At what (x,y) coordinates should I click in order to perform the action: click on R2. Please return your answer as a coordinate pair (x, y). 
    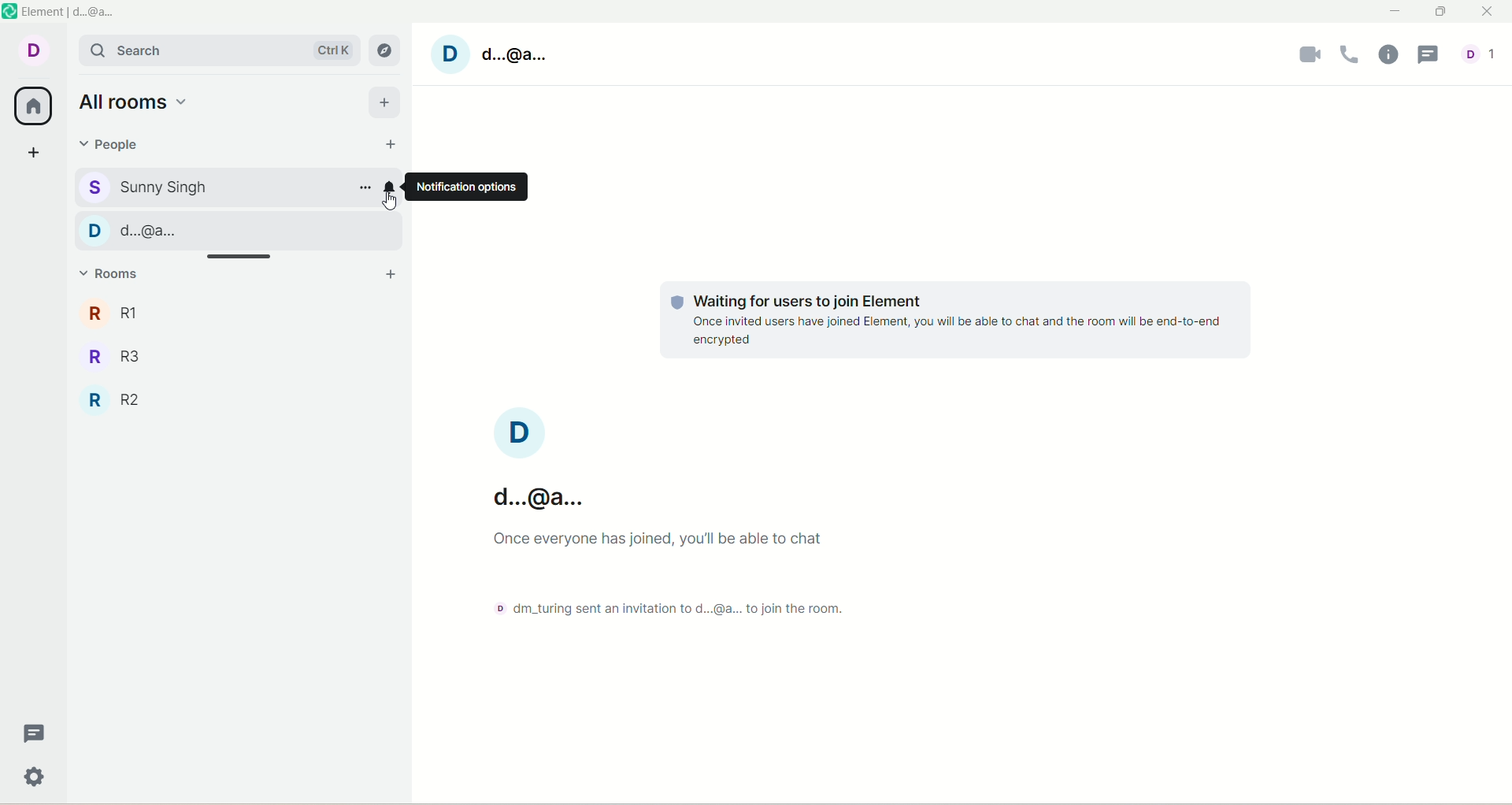
    Looking at the image, I should click on (230, 400).